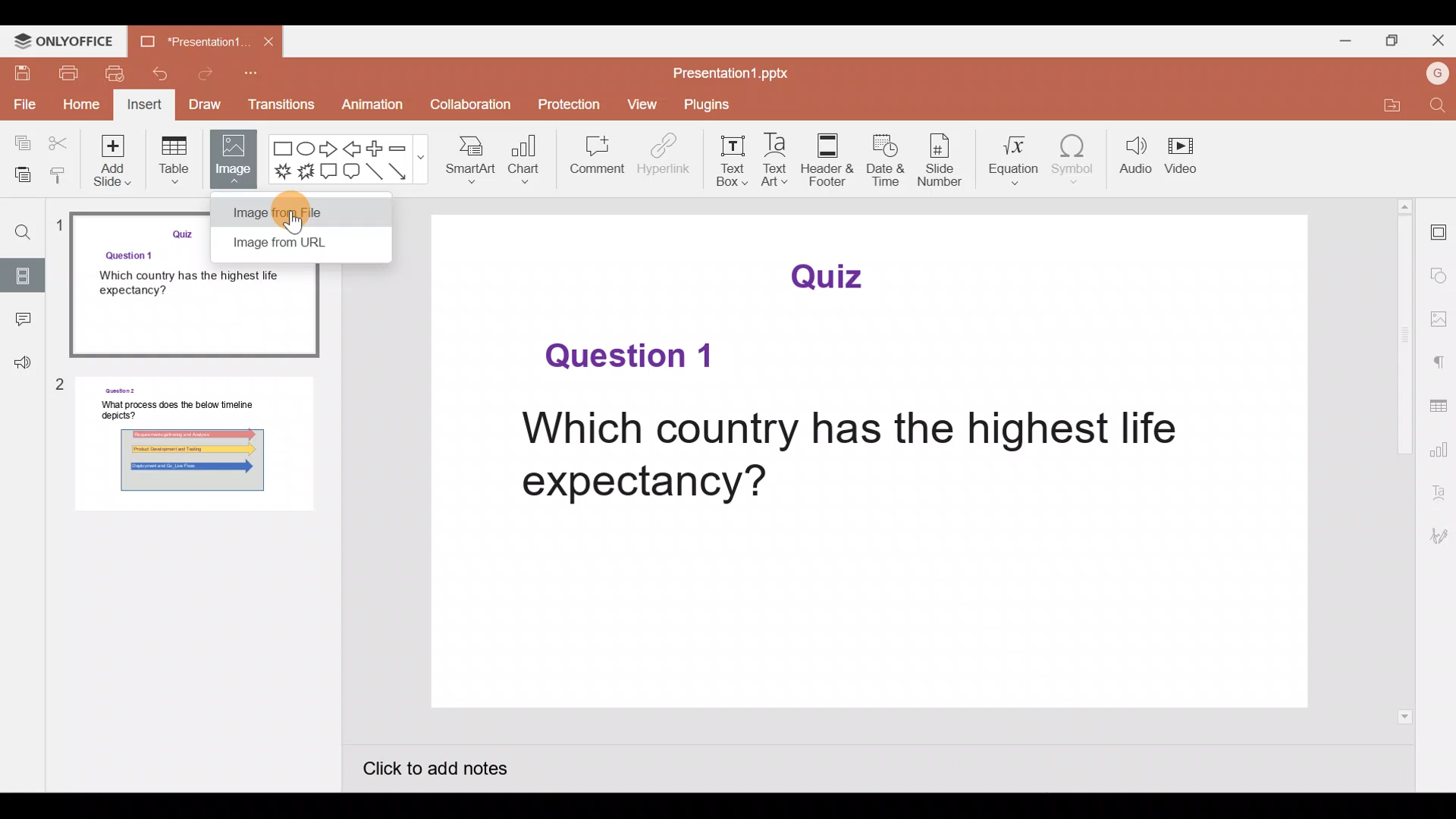 The image size is (1456, 819). What do you see at coordinates (365, 103) in the screenshot?
I see `Animation` at bounding box center [365, 103].